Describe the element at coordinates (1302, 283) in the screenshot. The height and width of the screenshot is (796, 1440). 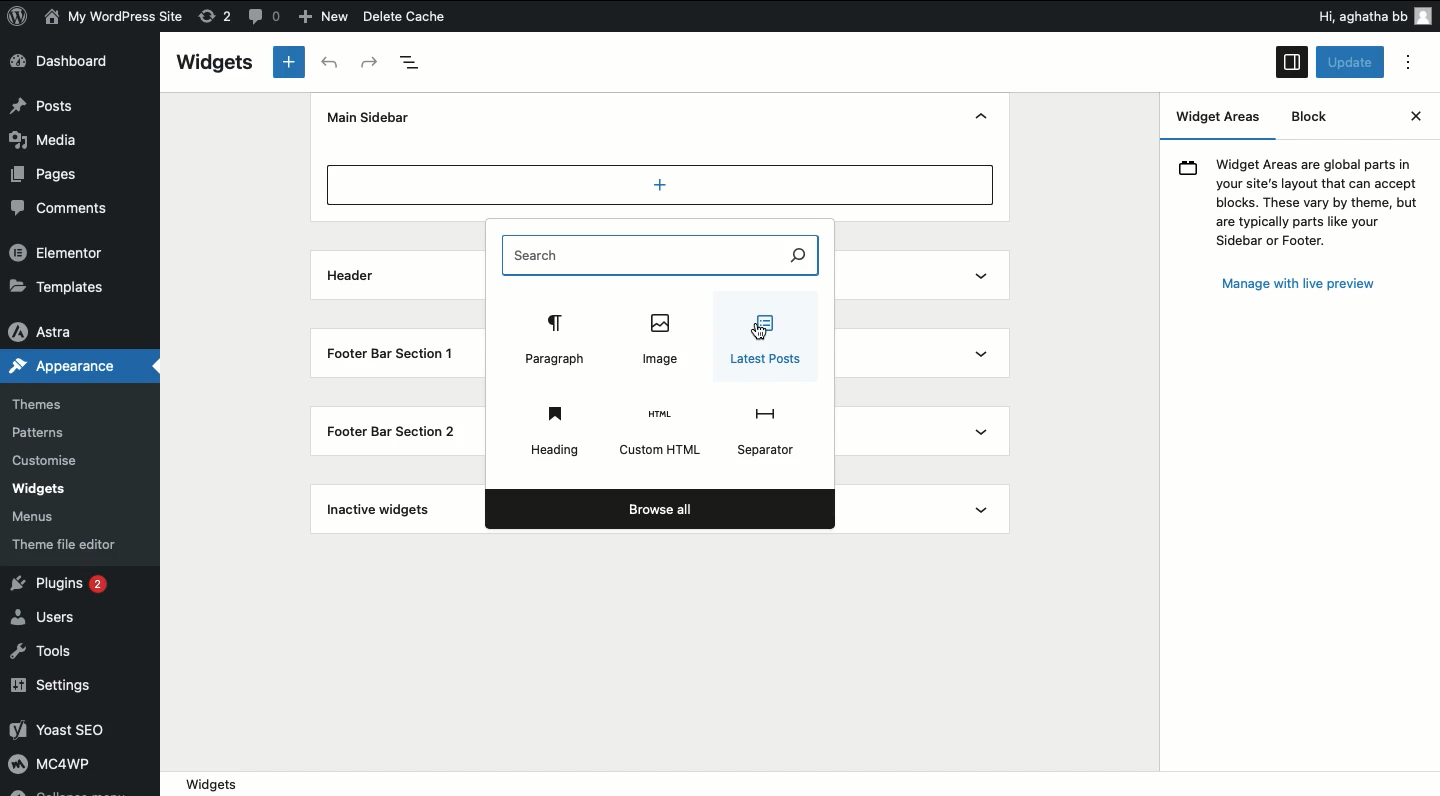
I see `Manage with live preview` at that location.